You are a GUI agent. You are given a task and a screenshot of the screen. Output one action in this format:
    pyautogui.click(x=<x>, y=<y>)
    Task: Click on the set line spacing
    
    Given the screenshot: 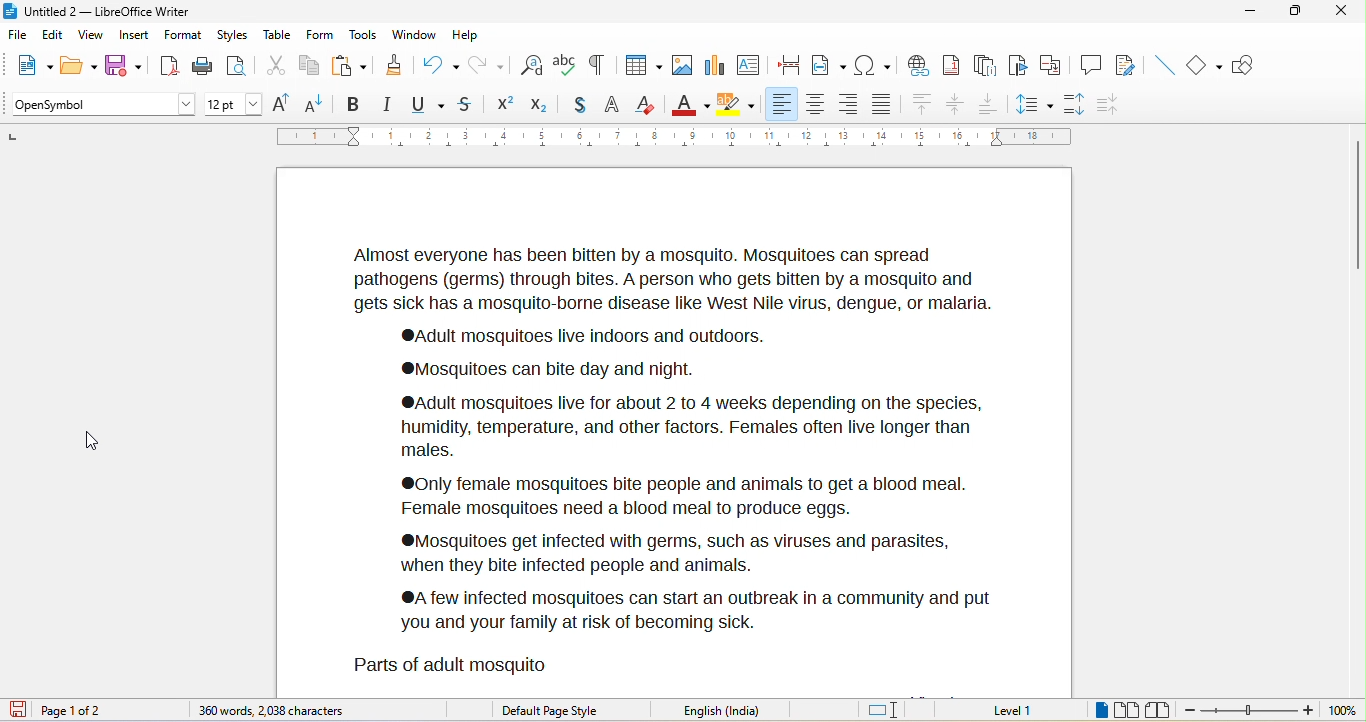 What is the action you would take?
    pyautogui.click(x=1034, y=106)
    